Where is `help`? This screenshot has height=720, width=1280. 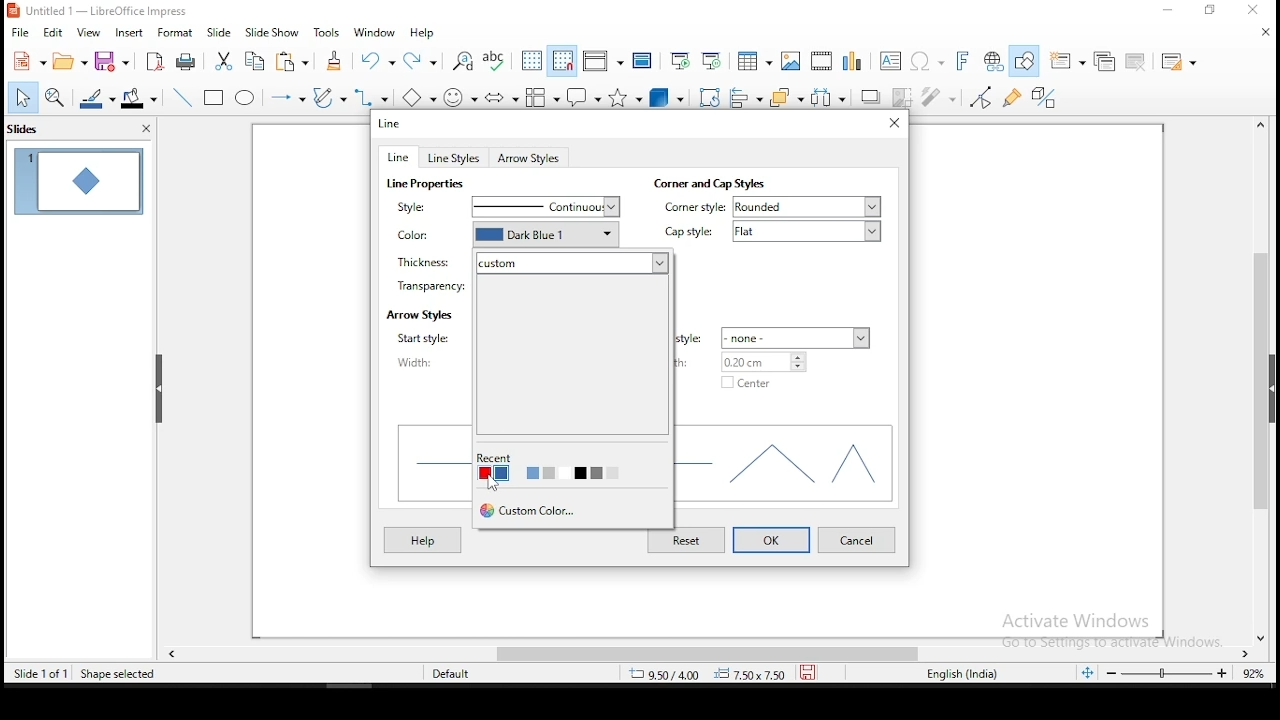
help is located at coordinates (423, 34).